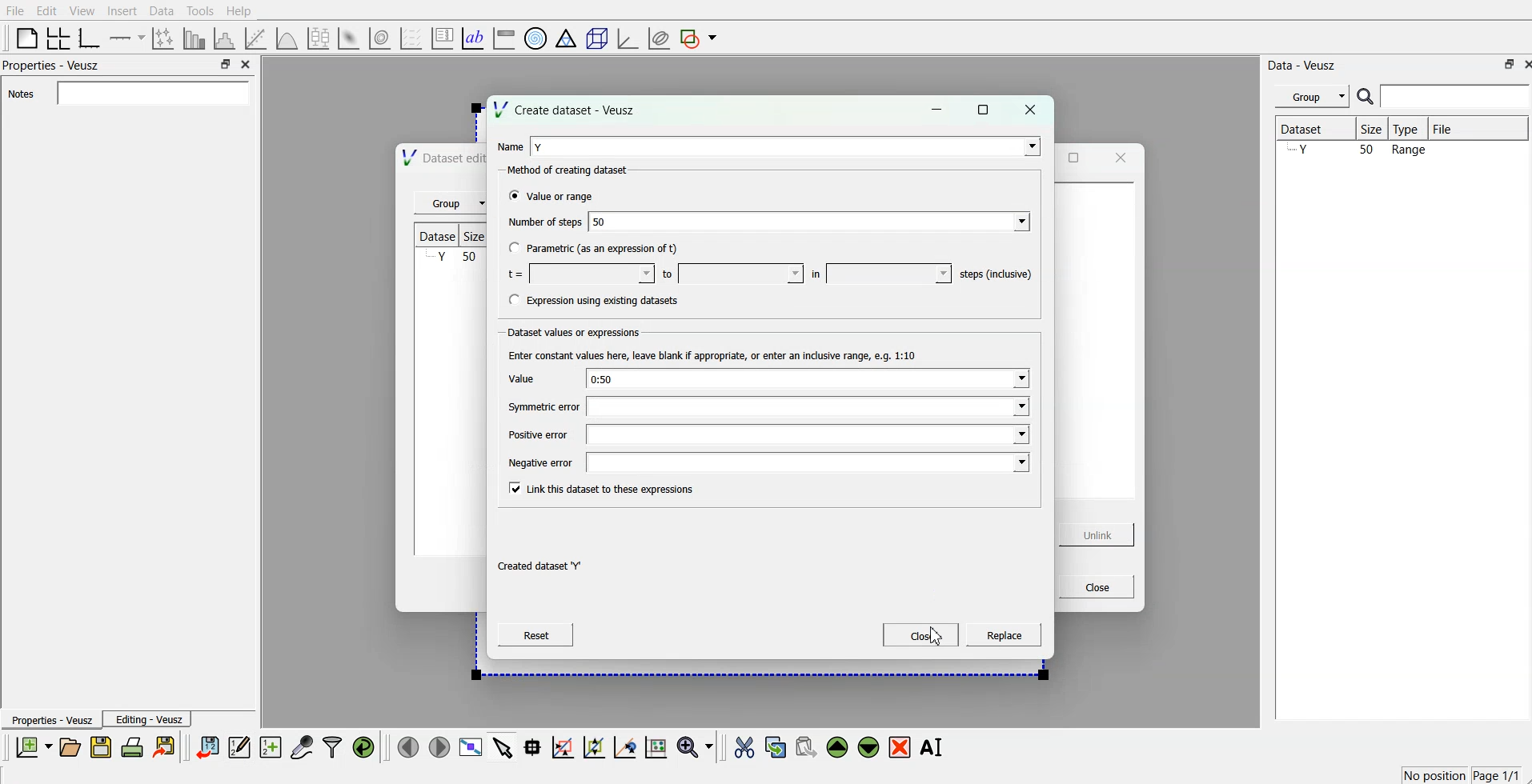  I want to click on min t value field, so click(590, 271).